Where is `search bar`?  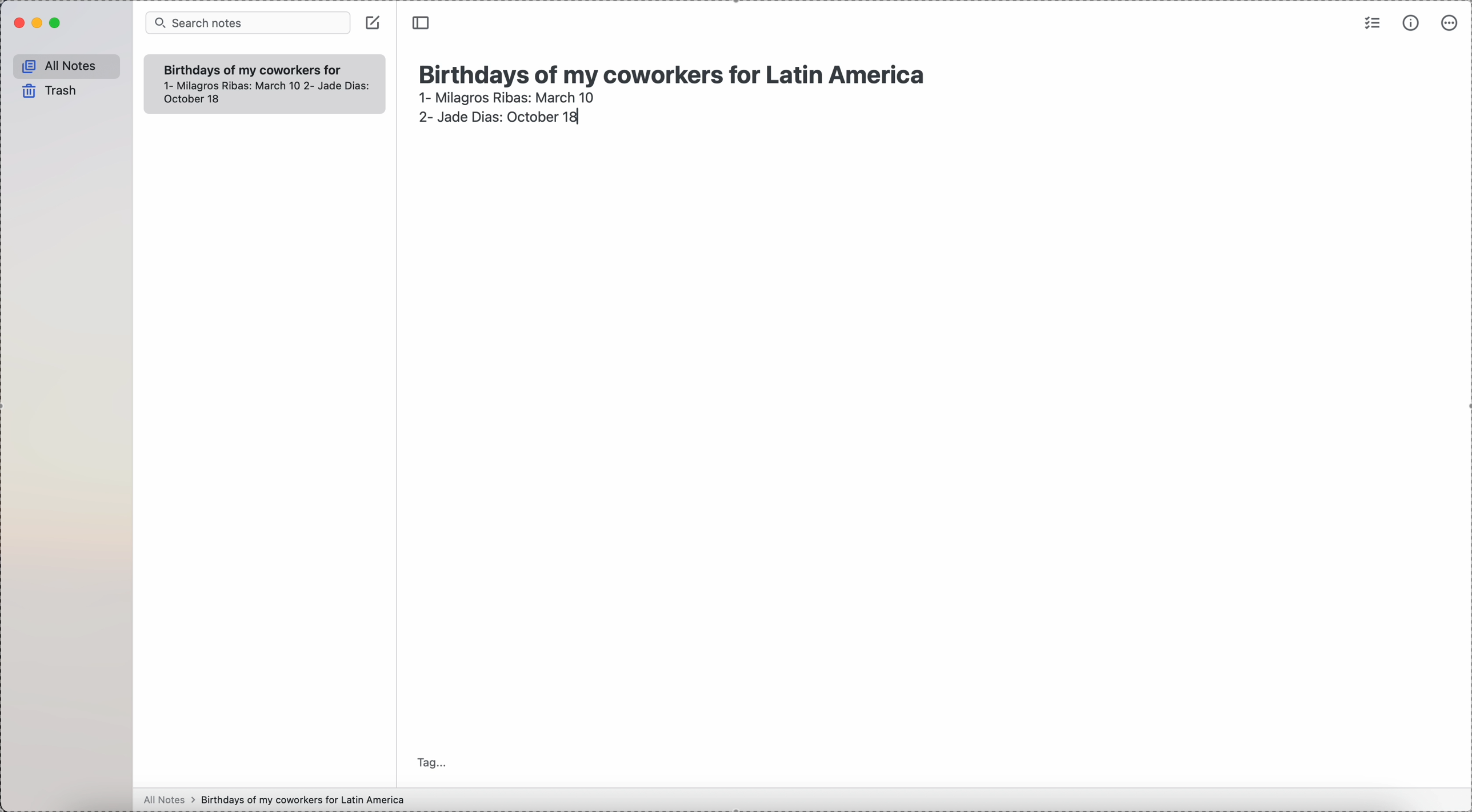 search bar is located at coordinates (247, 23).